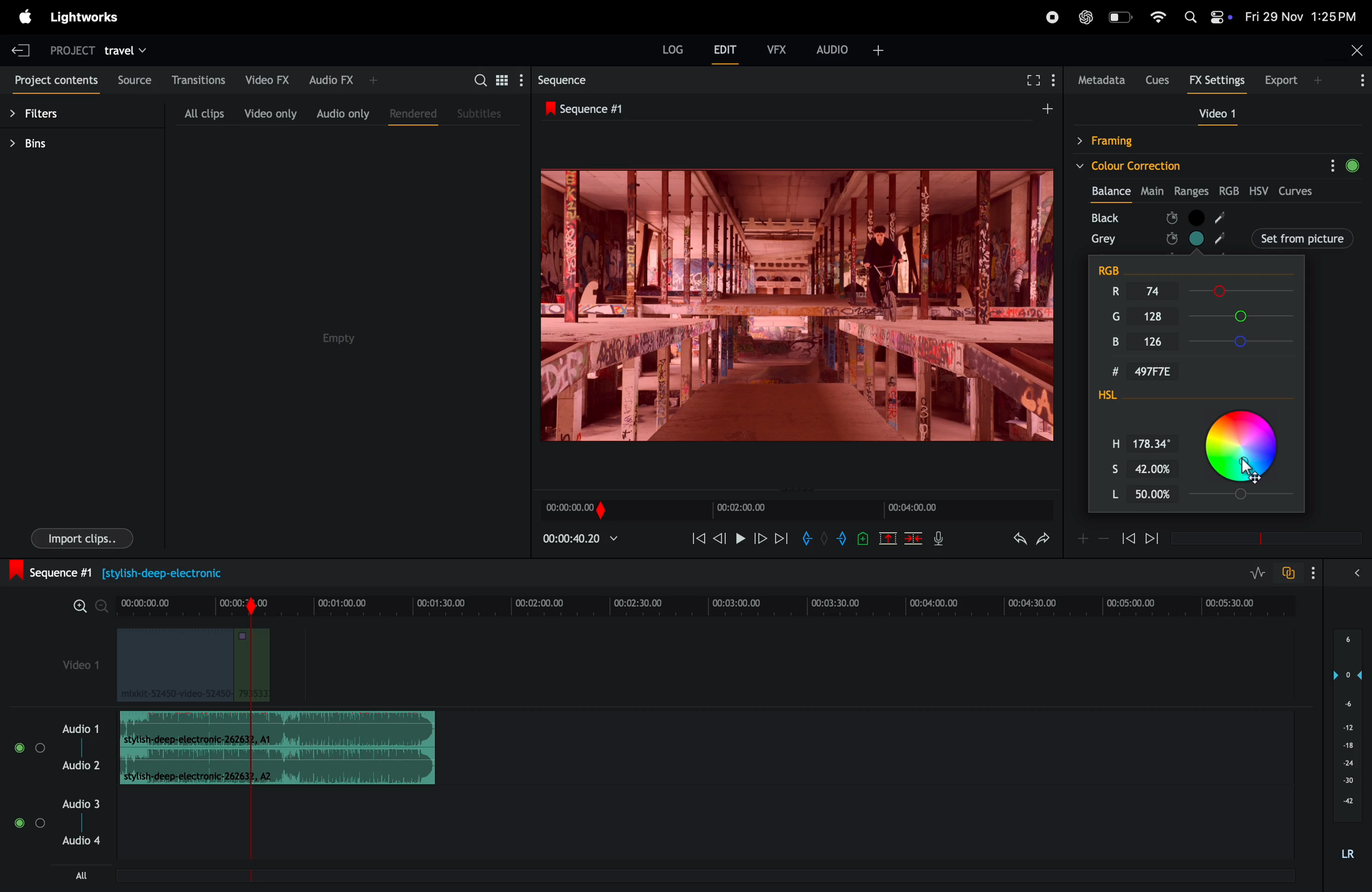 The image size is (1372, 892). What do you see at coordinates (777, 48) in the screenshot?
I see `vfx` at bounding box center [777, 48].